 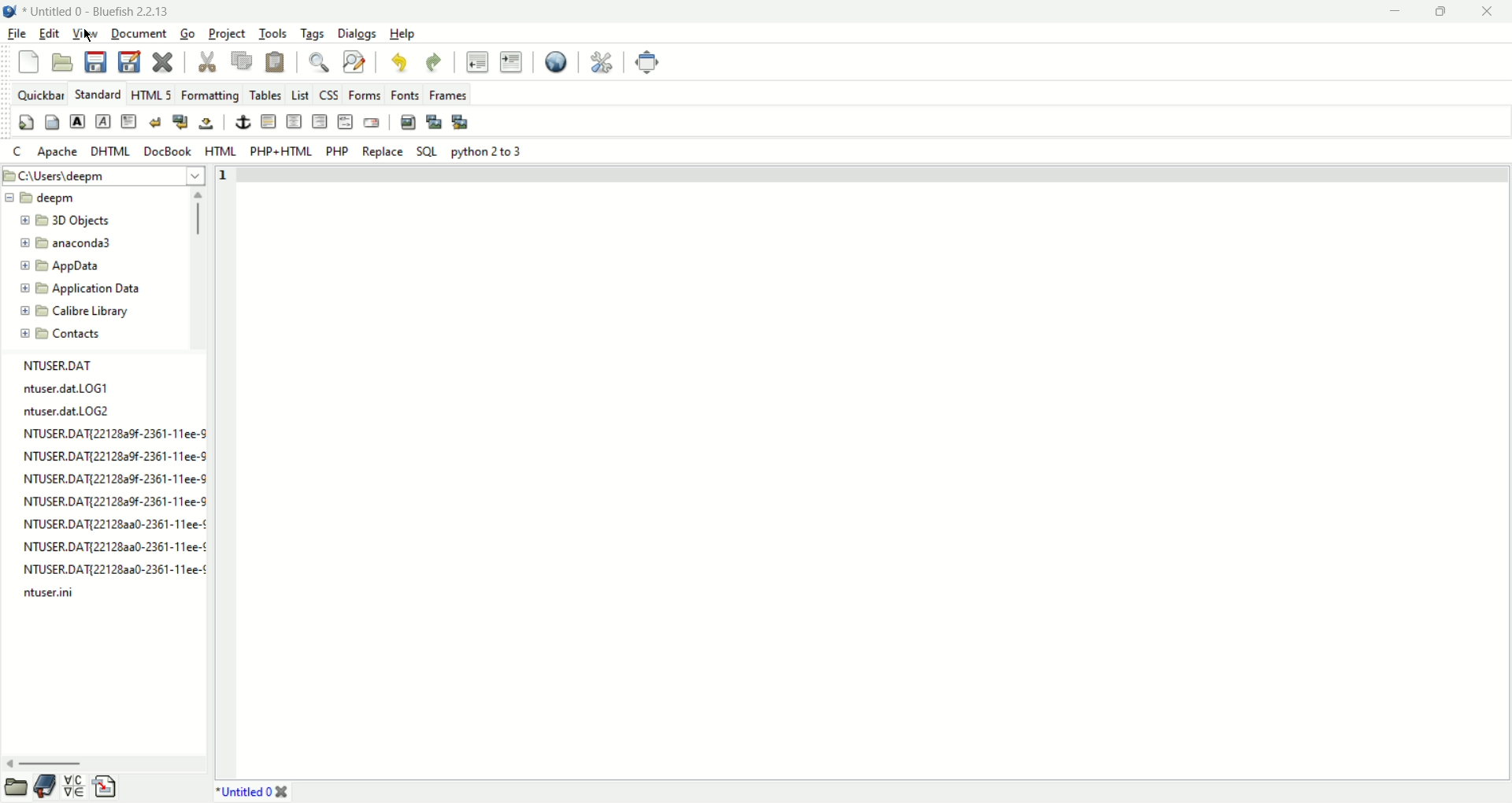 What do you see at coordinates (201, 272) in the screenshot?
I see `scroll bar` at bounding box center [201, 272].